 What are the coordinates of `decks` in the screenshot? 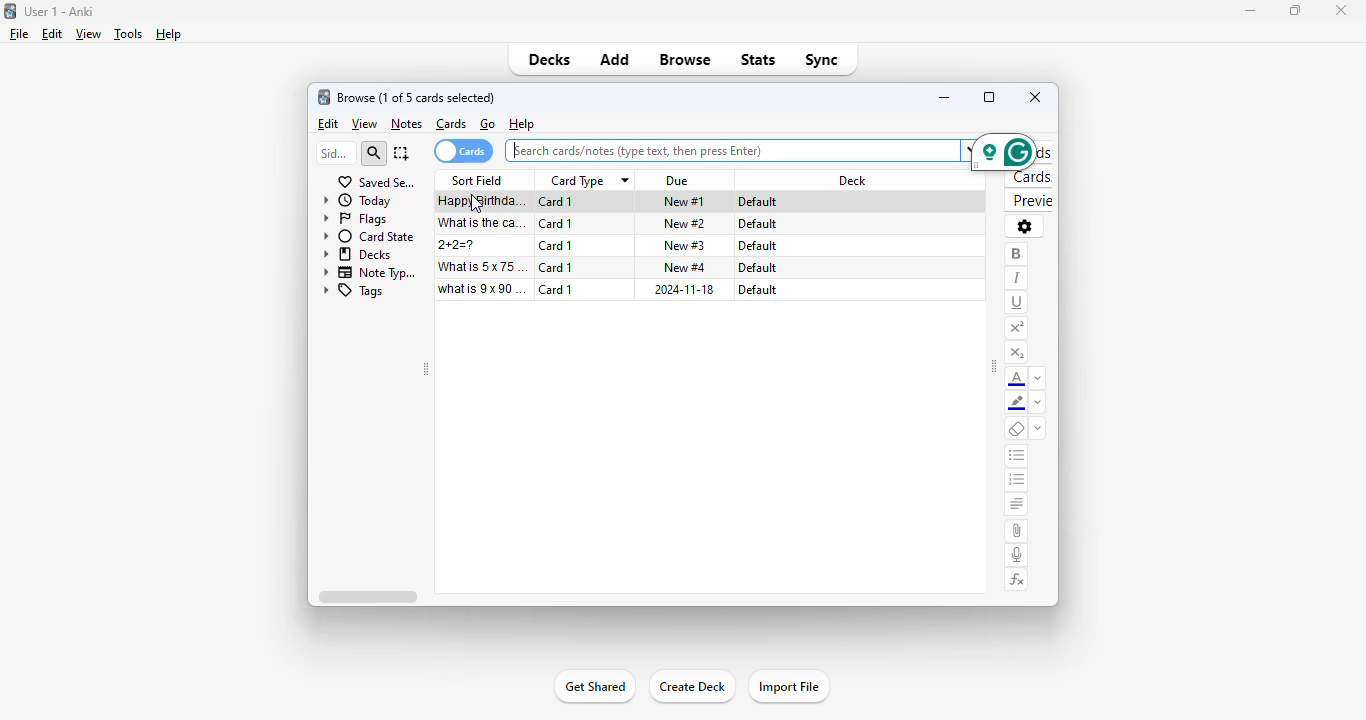 It's located at (549, 59).